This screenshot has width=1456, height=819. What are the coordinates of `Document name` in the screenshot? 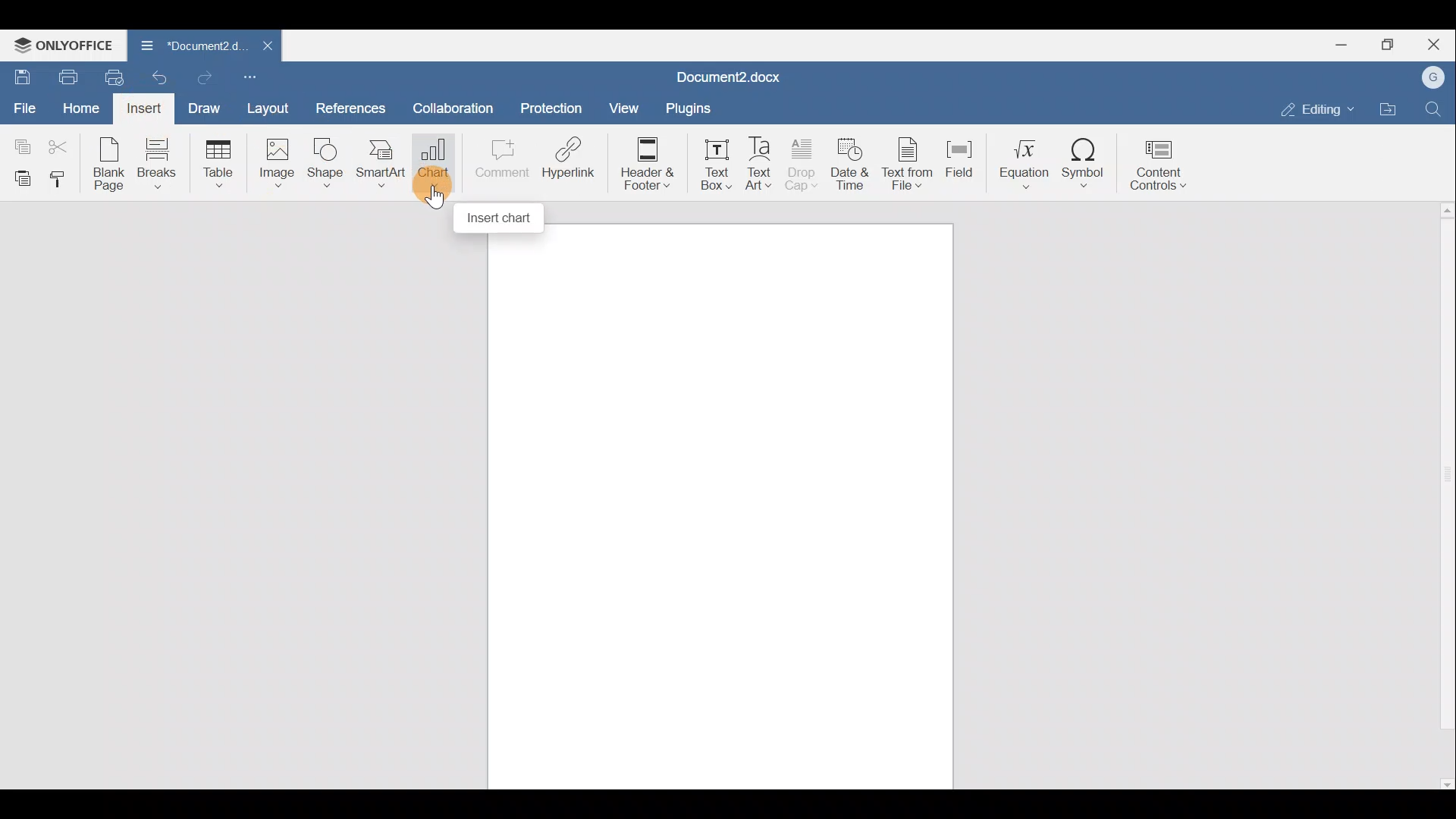 It's located at (738, 75).